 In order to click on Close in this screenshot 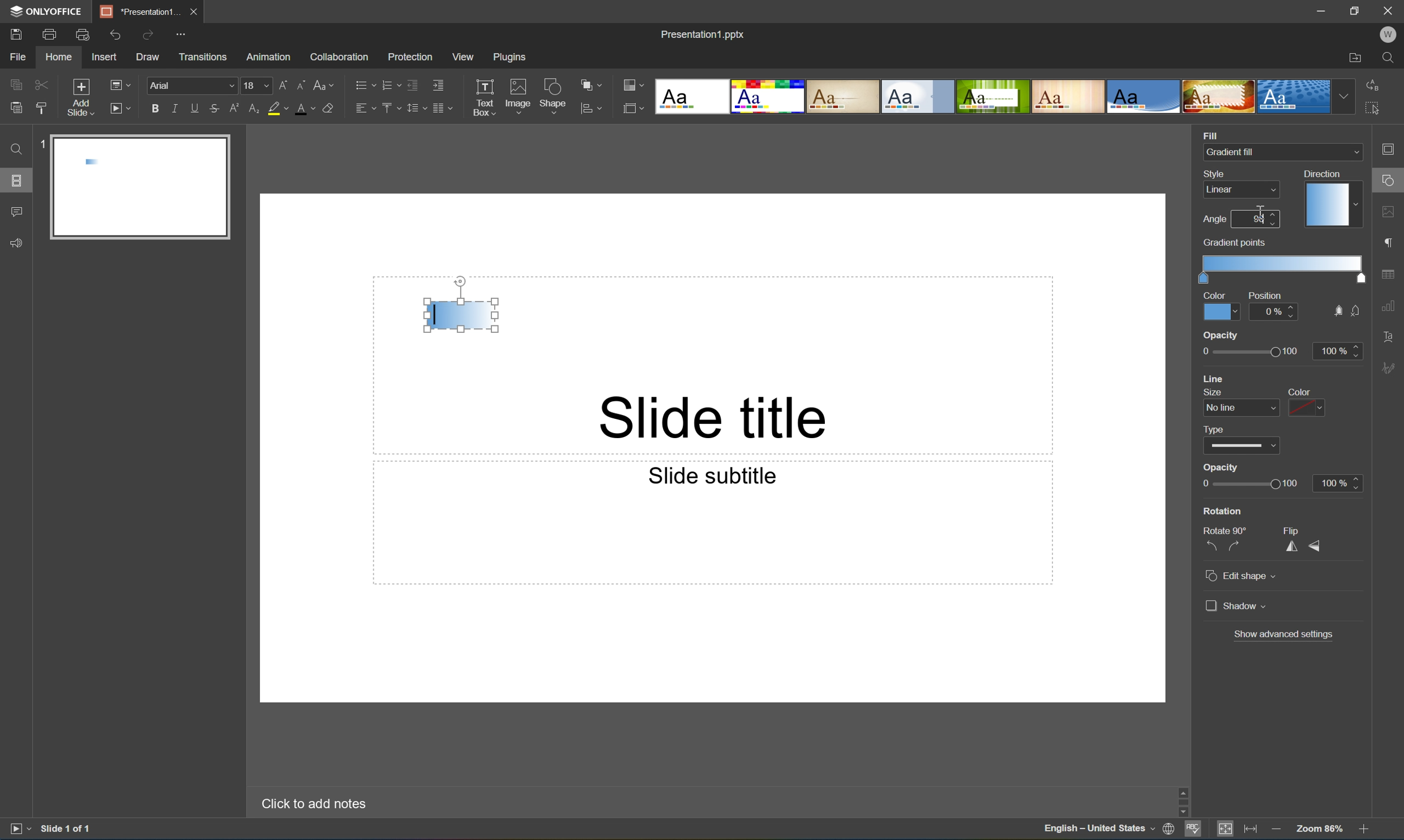, I will do `click(192, 10)`.